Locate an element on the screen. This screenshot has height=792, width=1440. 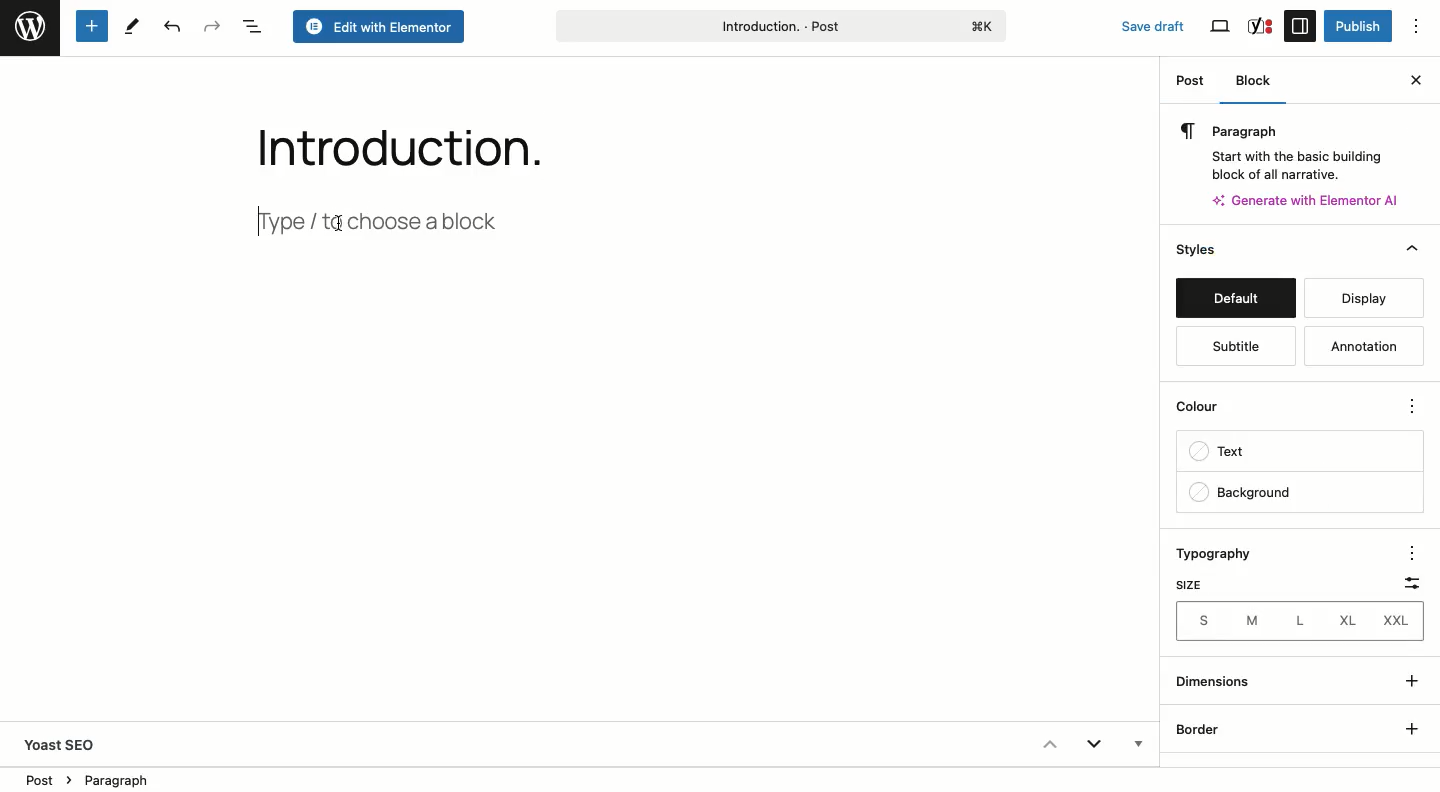
Styles is located at coordinates (1233, 251).